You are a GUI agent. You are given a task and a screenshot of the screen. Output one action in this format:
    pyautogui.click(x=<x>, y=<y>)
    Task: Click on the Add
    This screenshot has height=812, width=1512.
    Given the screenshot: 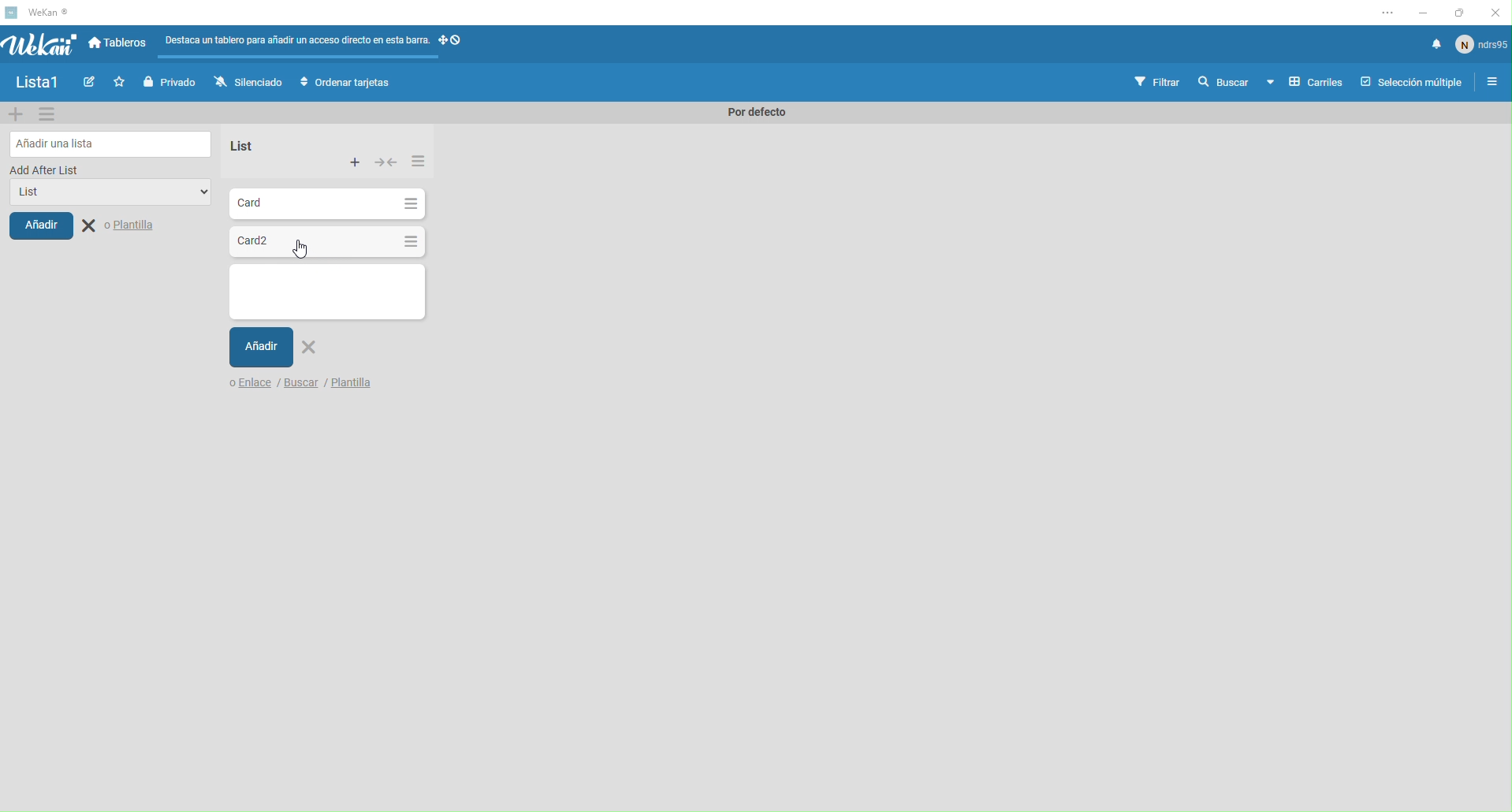 What is the action you would take?
    pyautogui.click(x=356, y=162)
    